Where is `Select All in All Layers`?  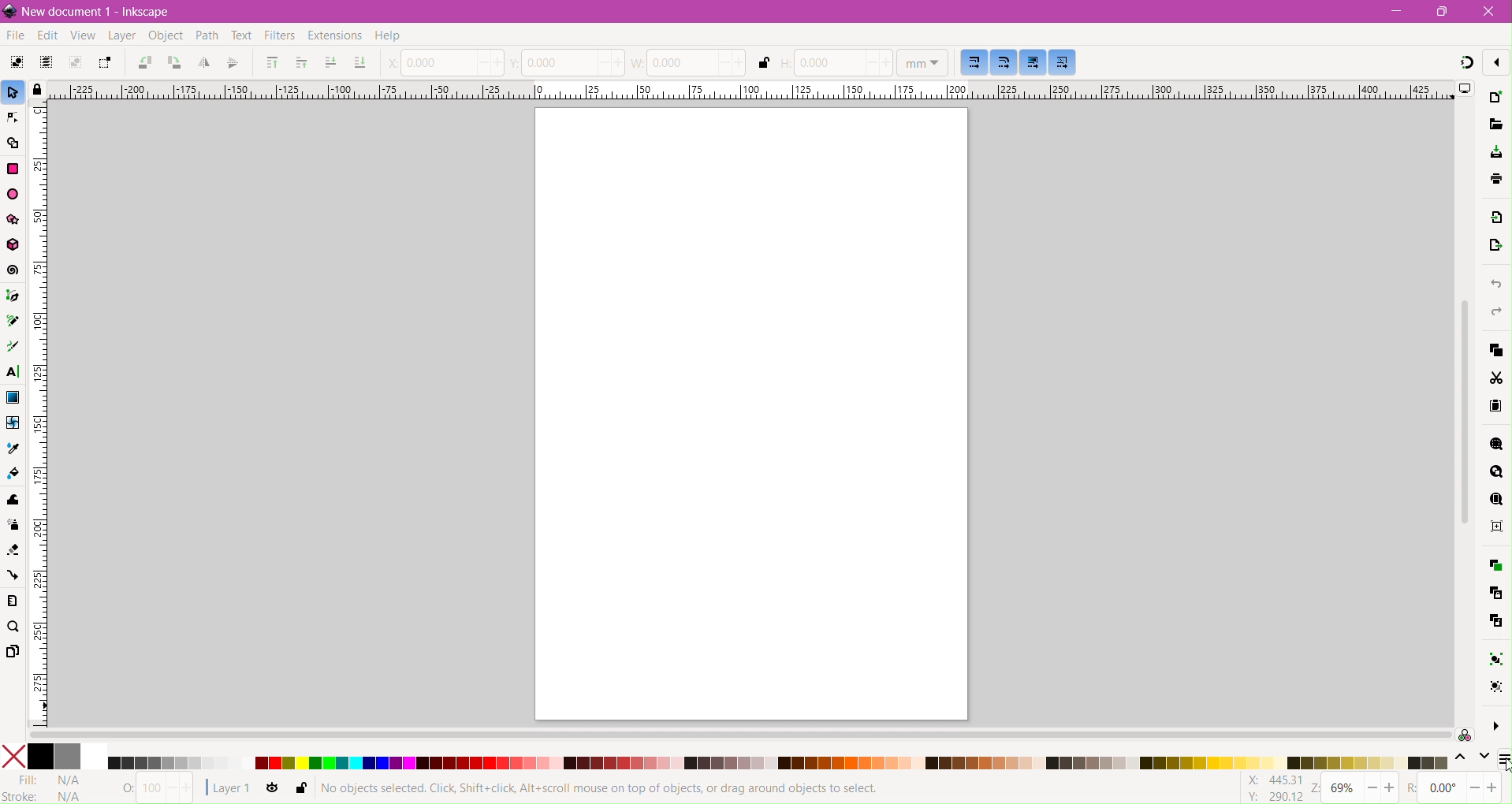
Select All in All Layers is located at coordinates (45, 63).